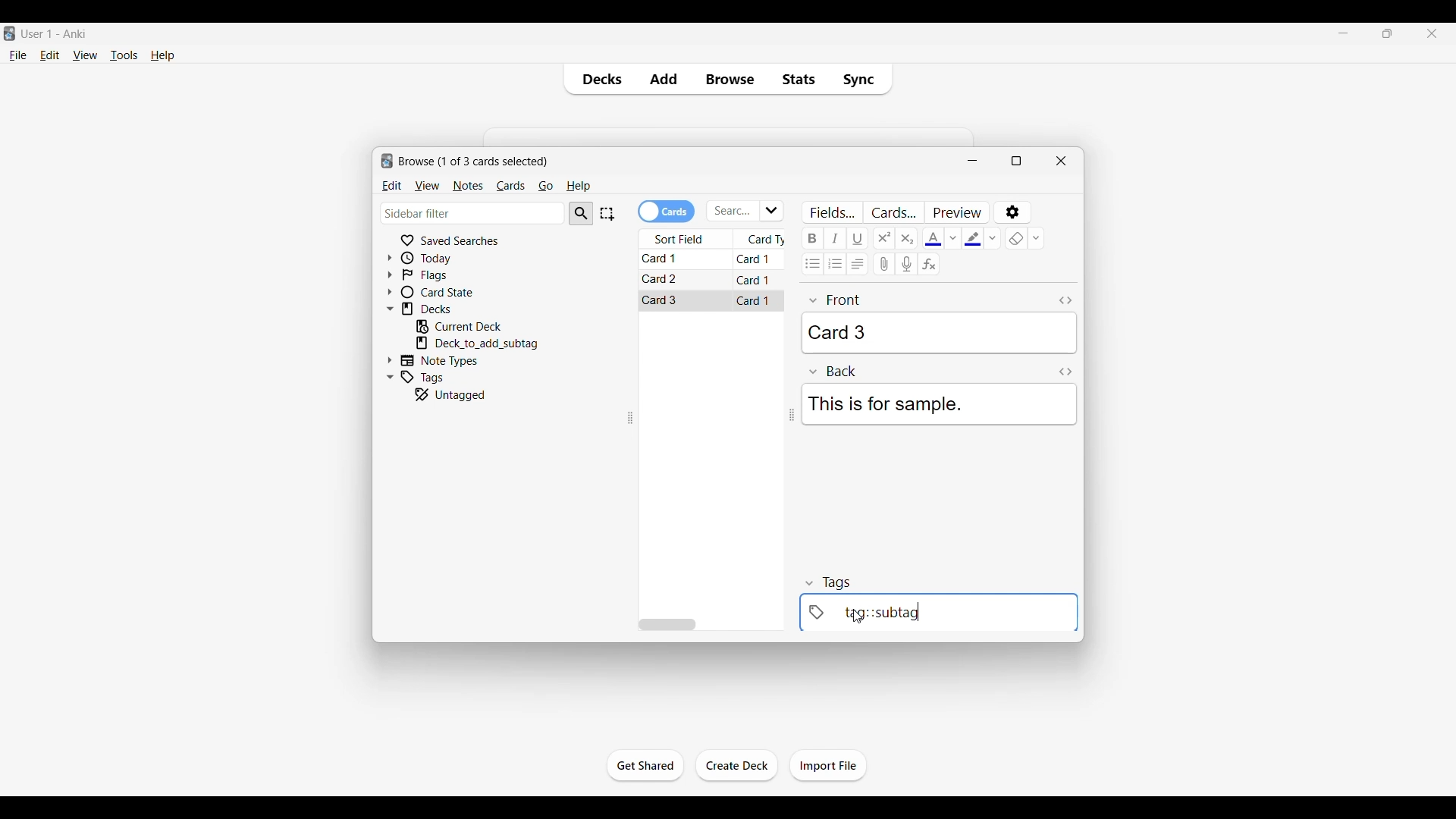  I want to click on View menu, so click(86, 55).